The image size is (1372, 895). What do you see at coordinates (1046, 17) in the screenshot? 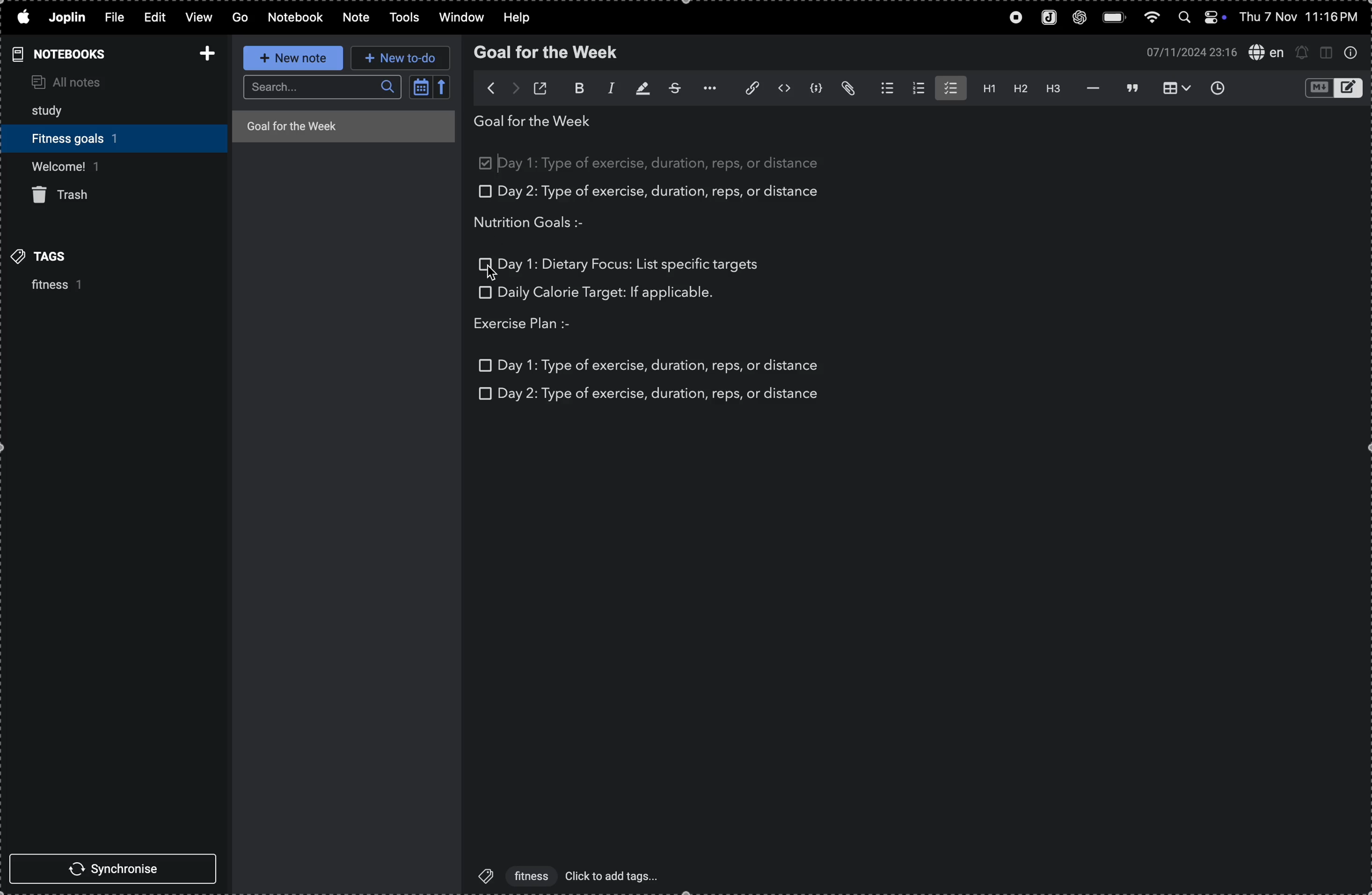
I see `joplin` at bounding box center [1046, 17].